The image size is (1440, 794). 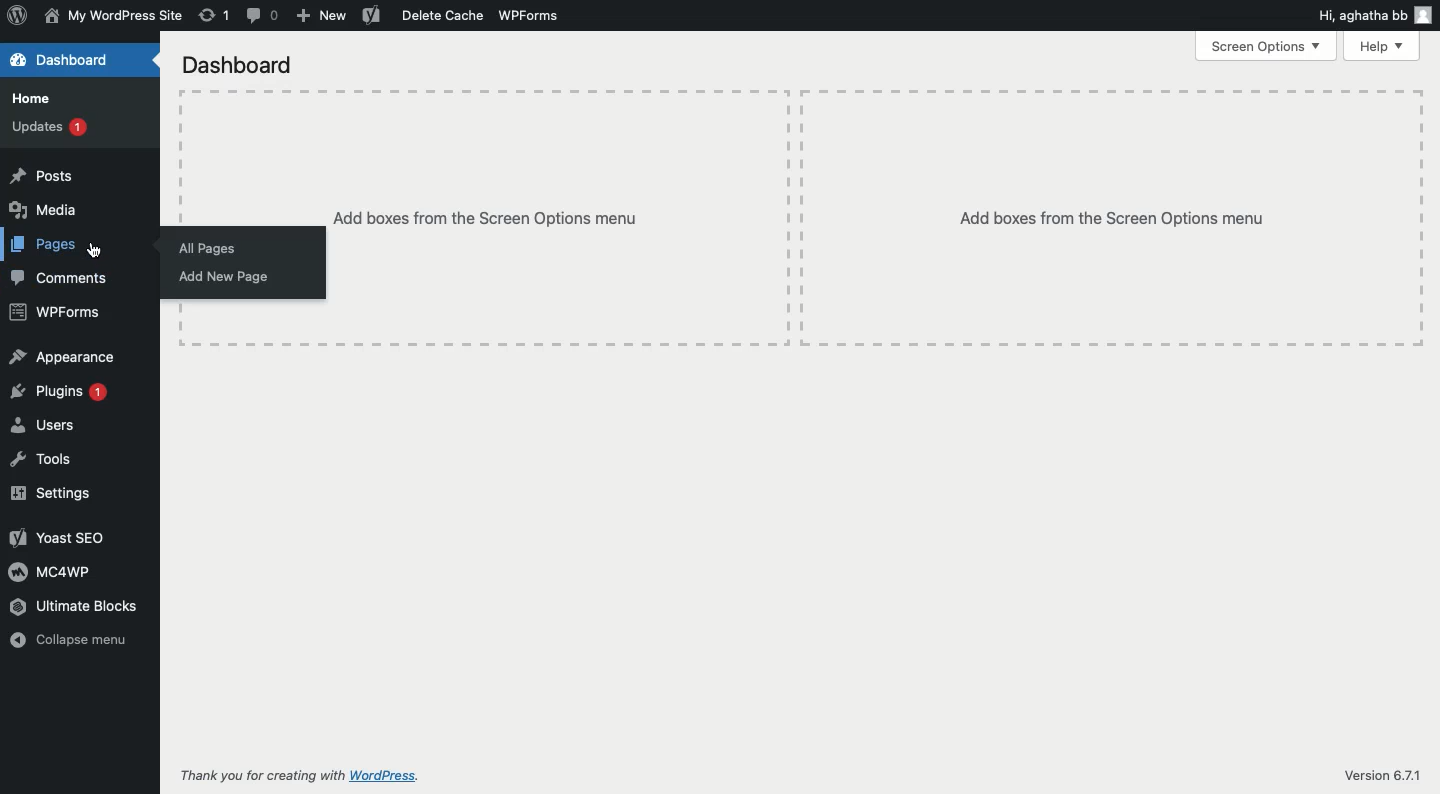 I want to click on Posts, so click(x=42, y=175).